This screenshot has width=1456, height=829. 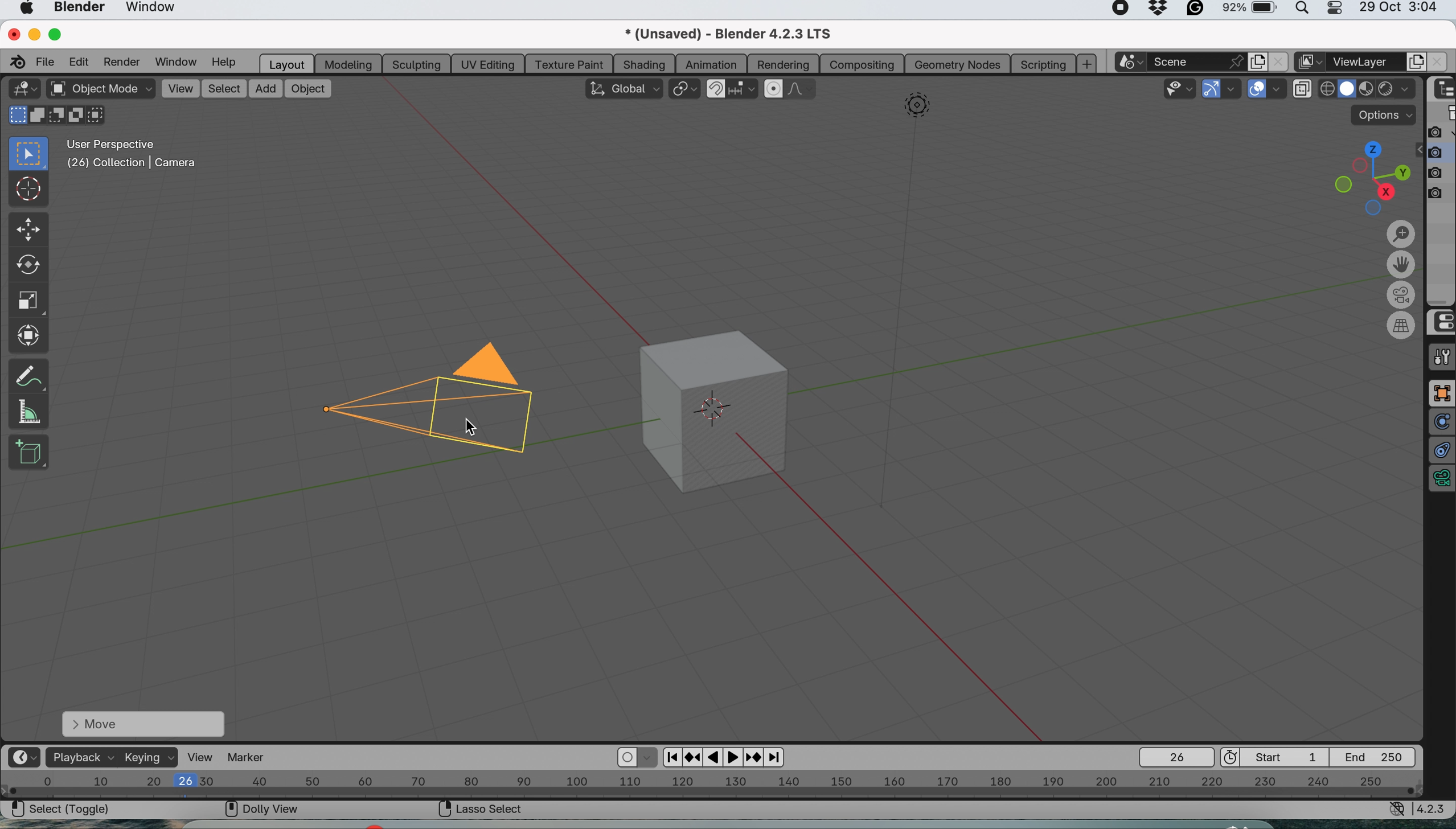 I want to click on rotate, so click(x=26, y=268).